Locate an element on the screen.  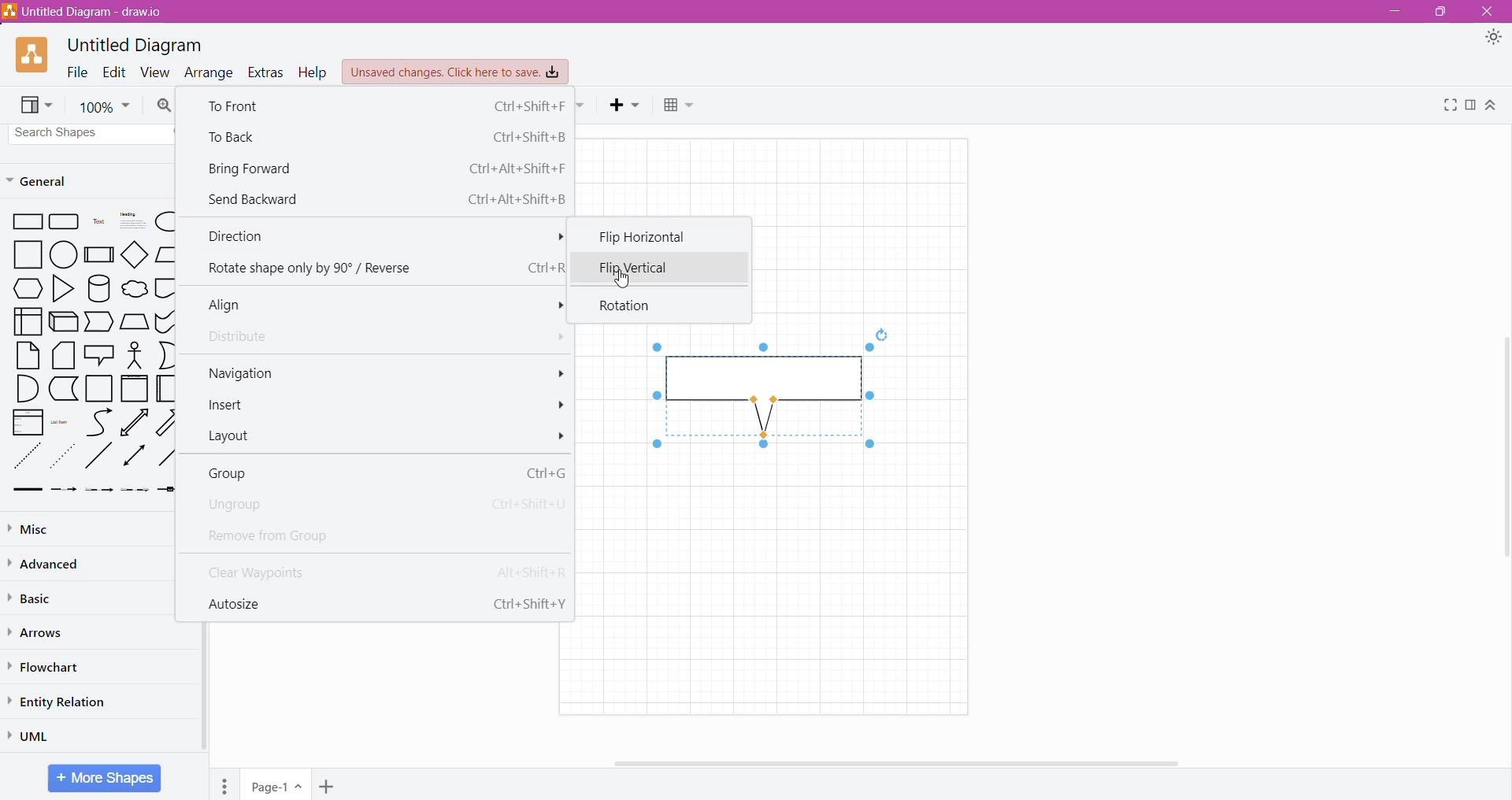
Advanced is located at coordinates (47, 564).